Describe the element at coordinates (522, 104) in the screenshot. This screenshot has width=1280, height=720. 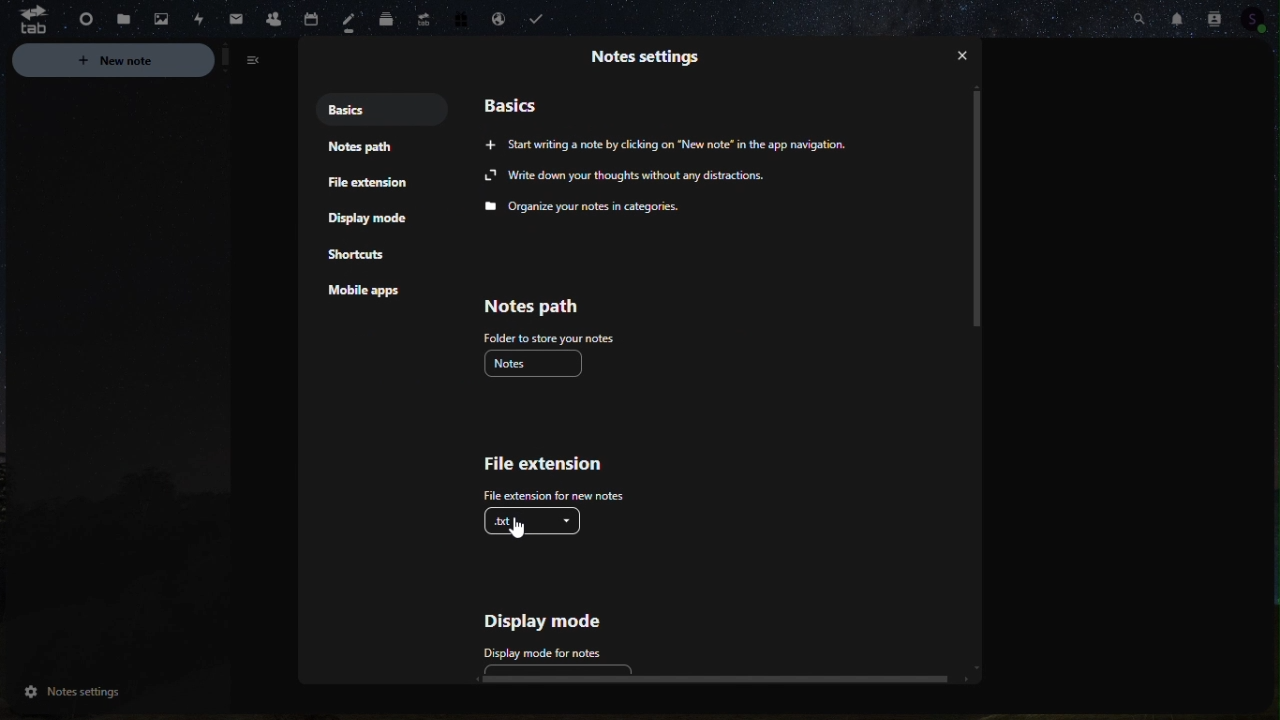
I see `Basics` at that location.